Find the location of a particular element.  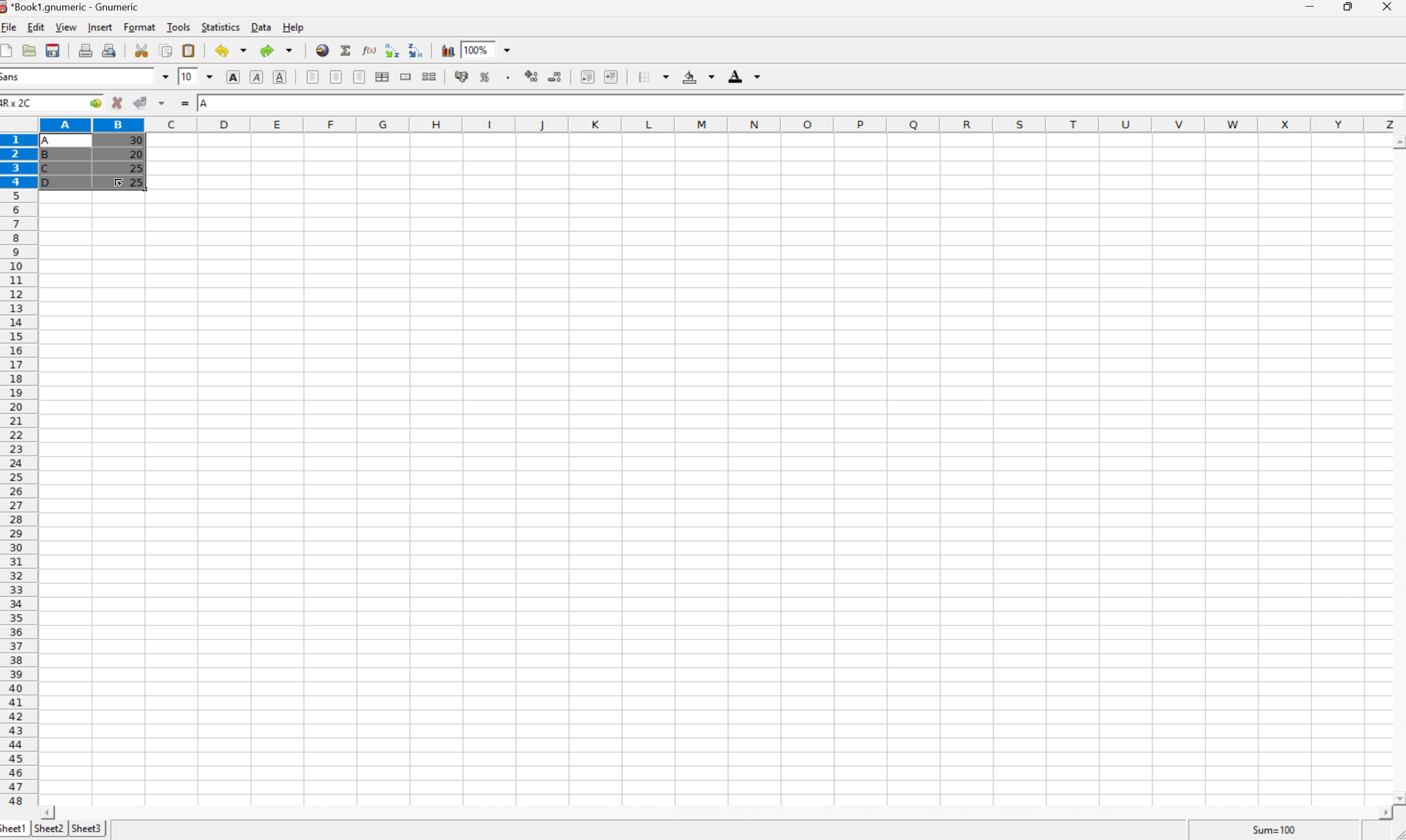

Insert is located at coordinates (102, 28).